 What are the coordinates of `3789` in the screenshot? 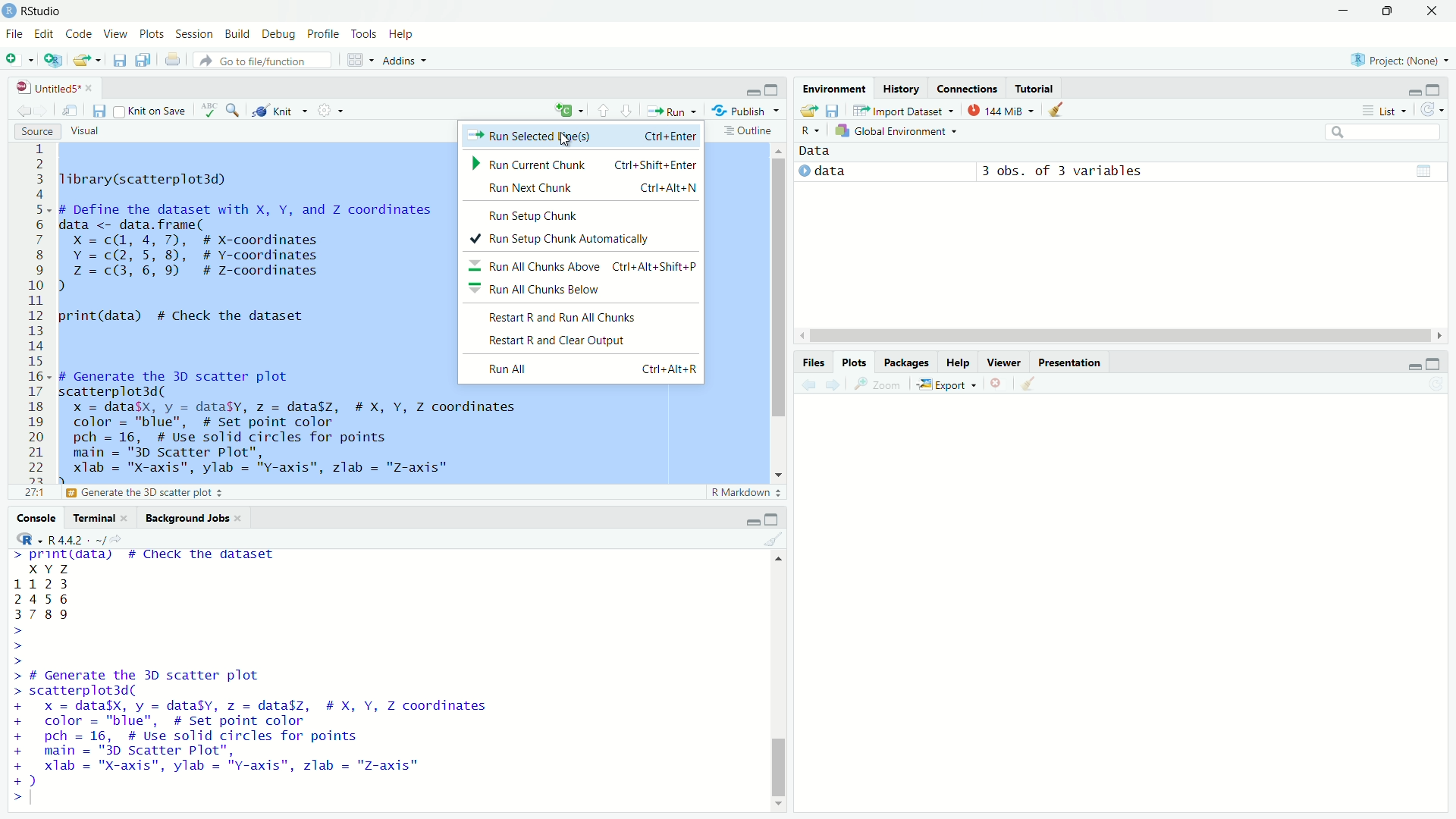 It's located at (44, 616).